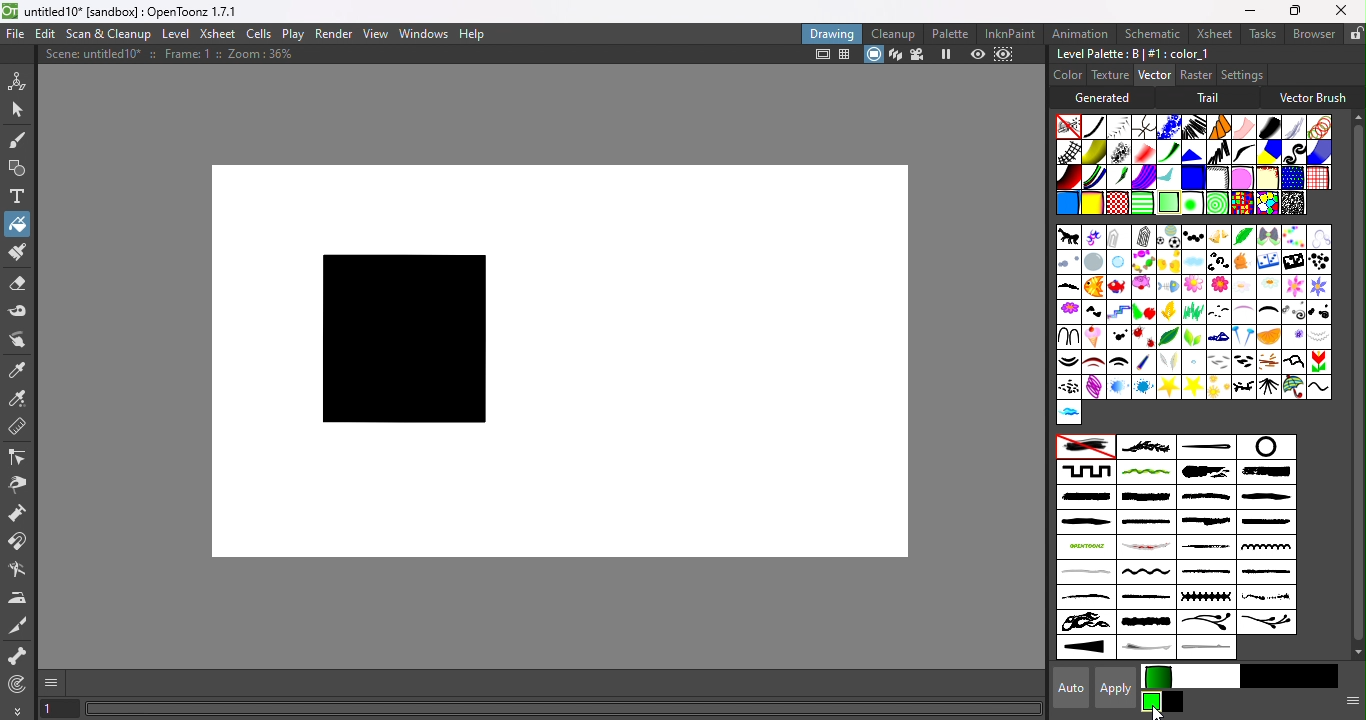 The height and width of the screenshot is (720, 1366). Describe the element at coordinates (846, 56) in the screenshot. I see `field guide` at that location.